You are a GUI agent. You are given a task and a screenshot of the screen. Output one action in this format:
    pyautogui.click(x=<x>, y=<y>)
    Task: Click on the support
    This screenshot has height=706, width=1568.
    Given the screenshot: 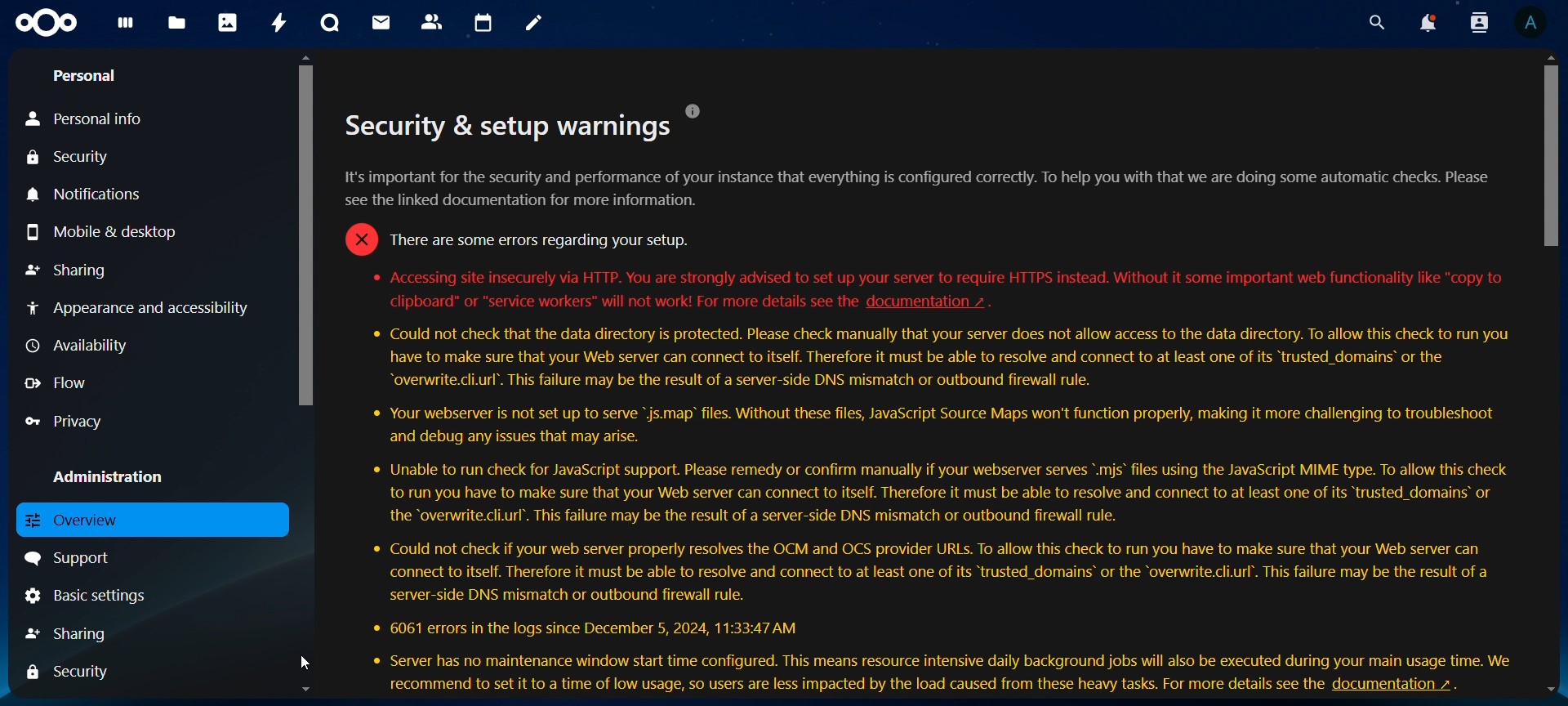 What is the action you would take?
    pyautogui.click(x=70, y=559)
    